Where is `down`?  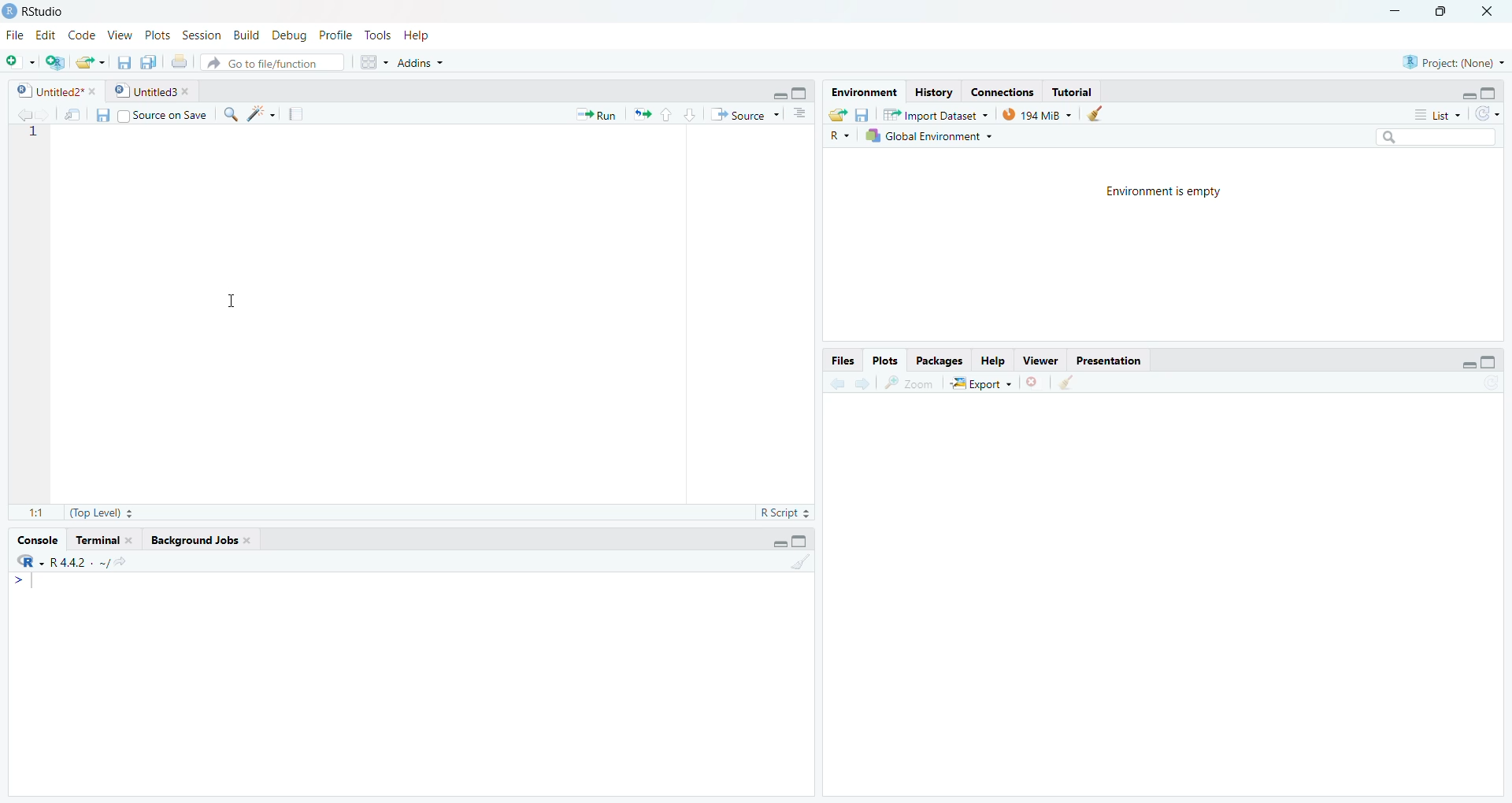
down is located at coordinates (691, 115).